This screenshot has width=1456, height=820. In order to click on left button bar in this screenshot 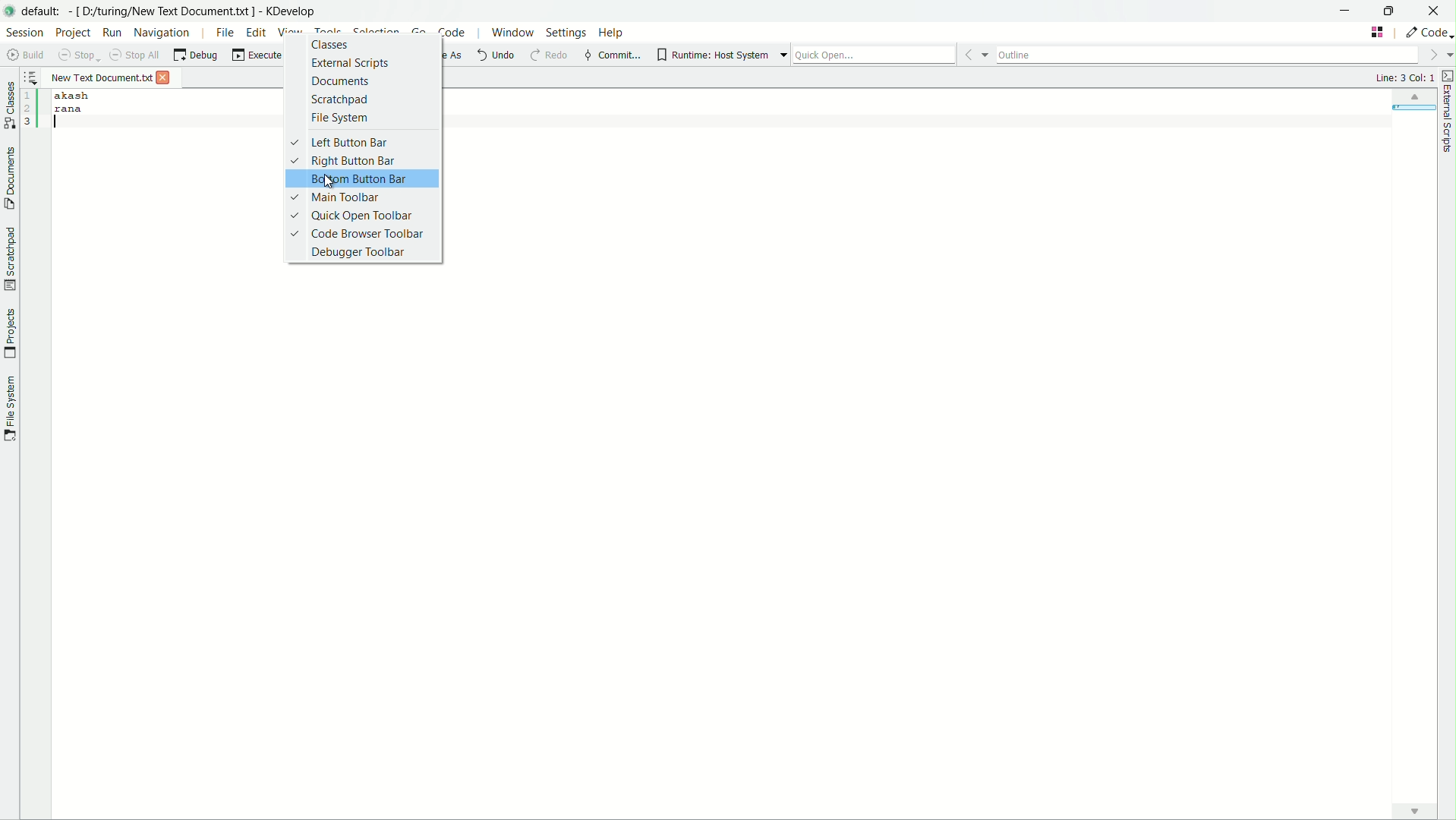, I will do `click(337, 142)`.